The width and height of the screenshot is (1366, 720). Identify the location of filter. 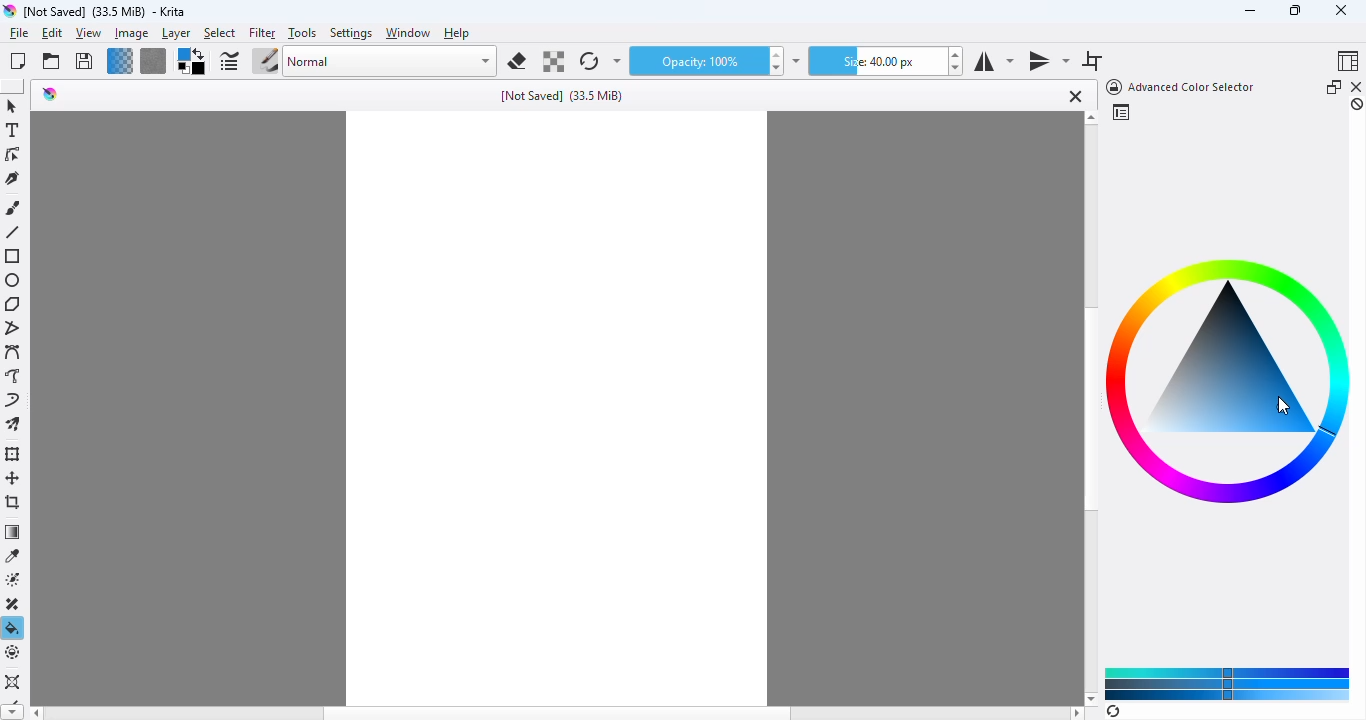
(262, 34).